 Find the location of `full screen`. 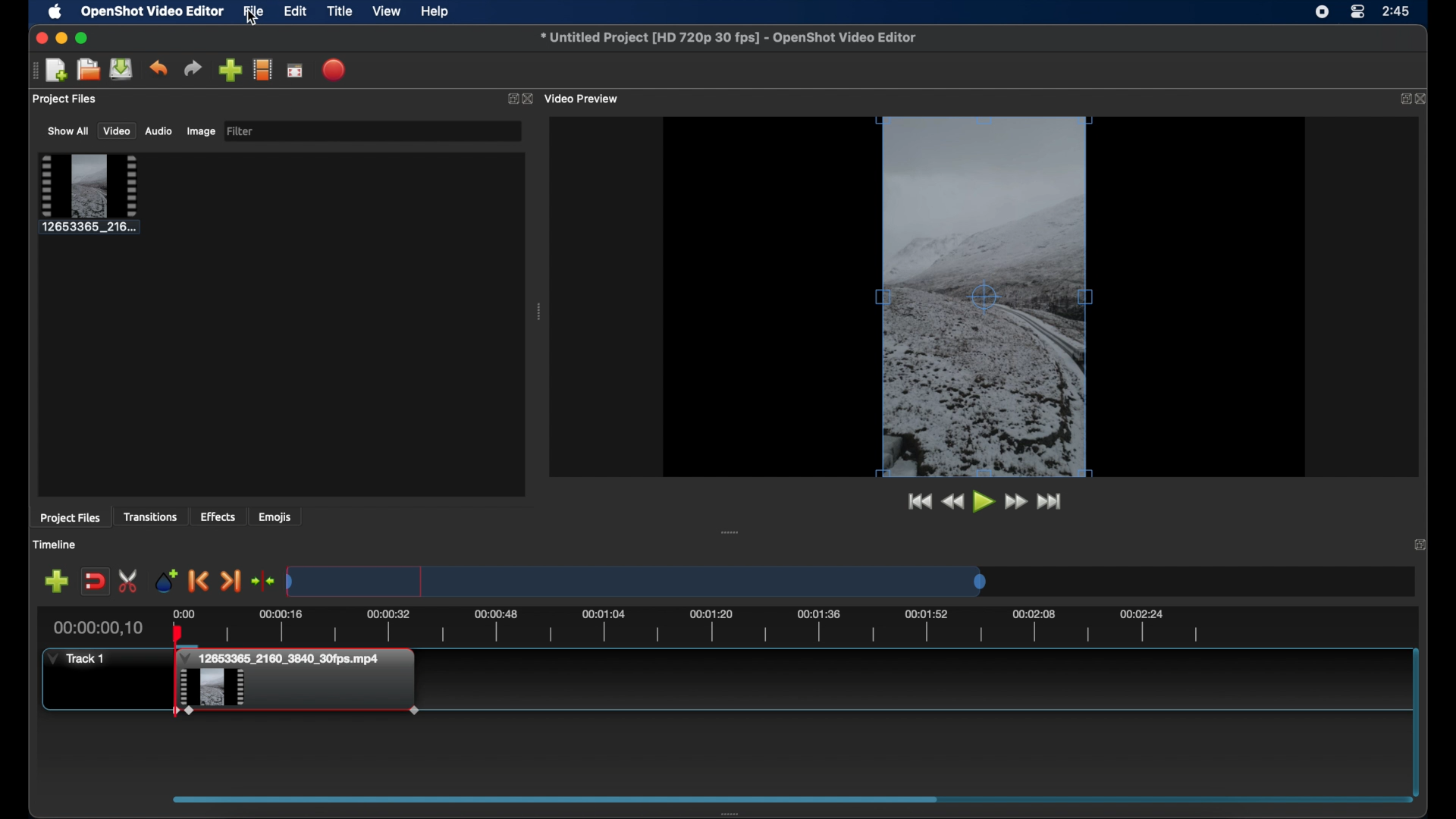

full screen is located at coordinates (295, 71).